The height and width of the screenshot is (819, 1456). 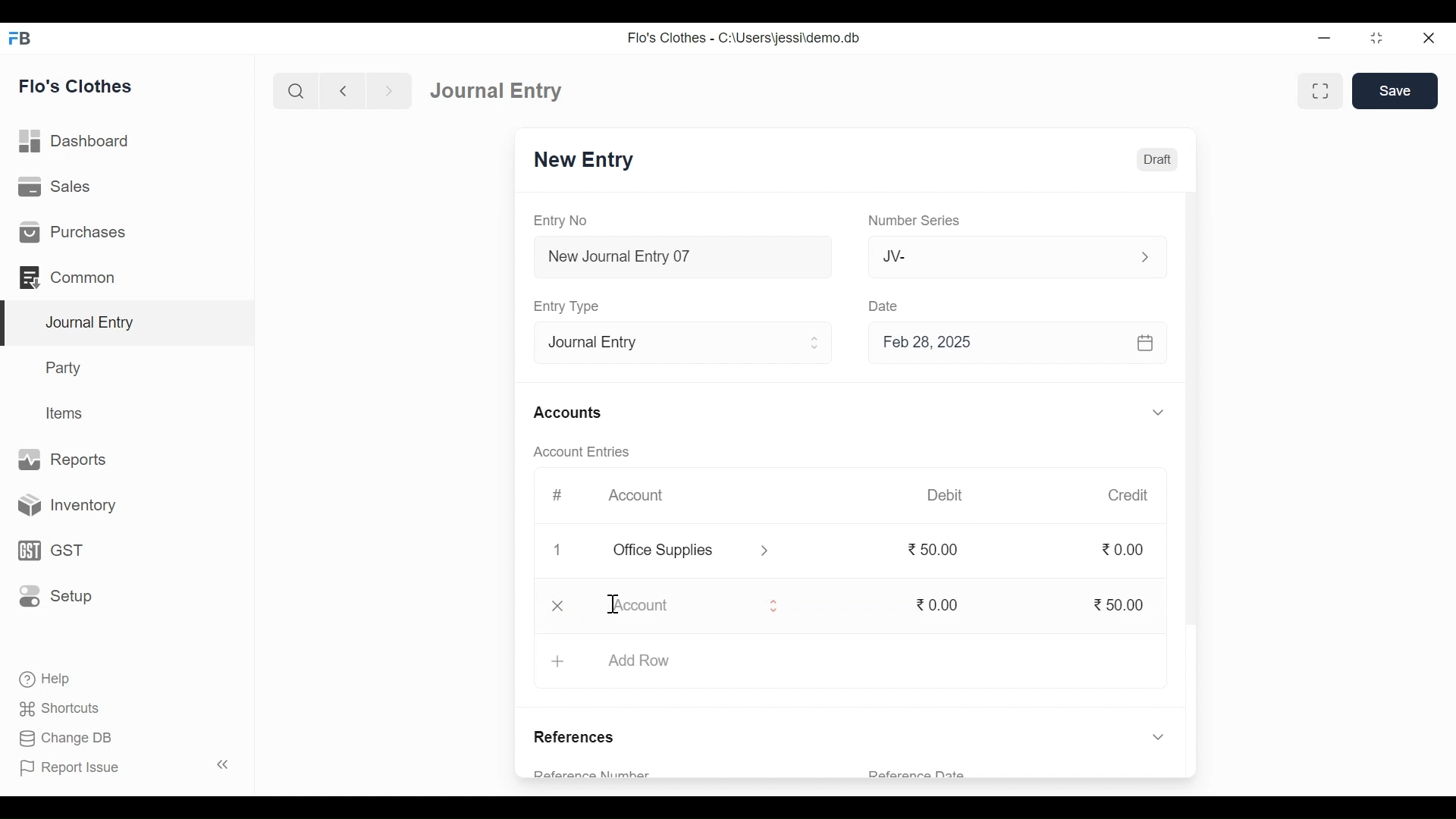 What do you see at coordinates (70, 277) in the screenshot?
I see `Common` at bounding box center [70, 277].